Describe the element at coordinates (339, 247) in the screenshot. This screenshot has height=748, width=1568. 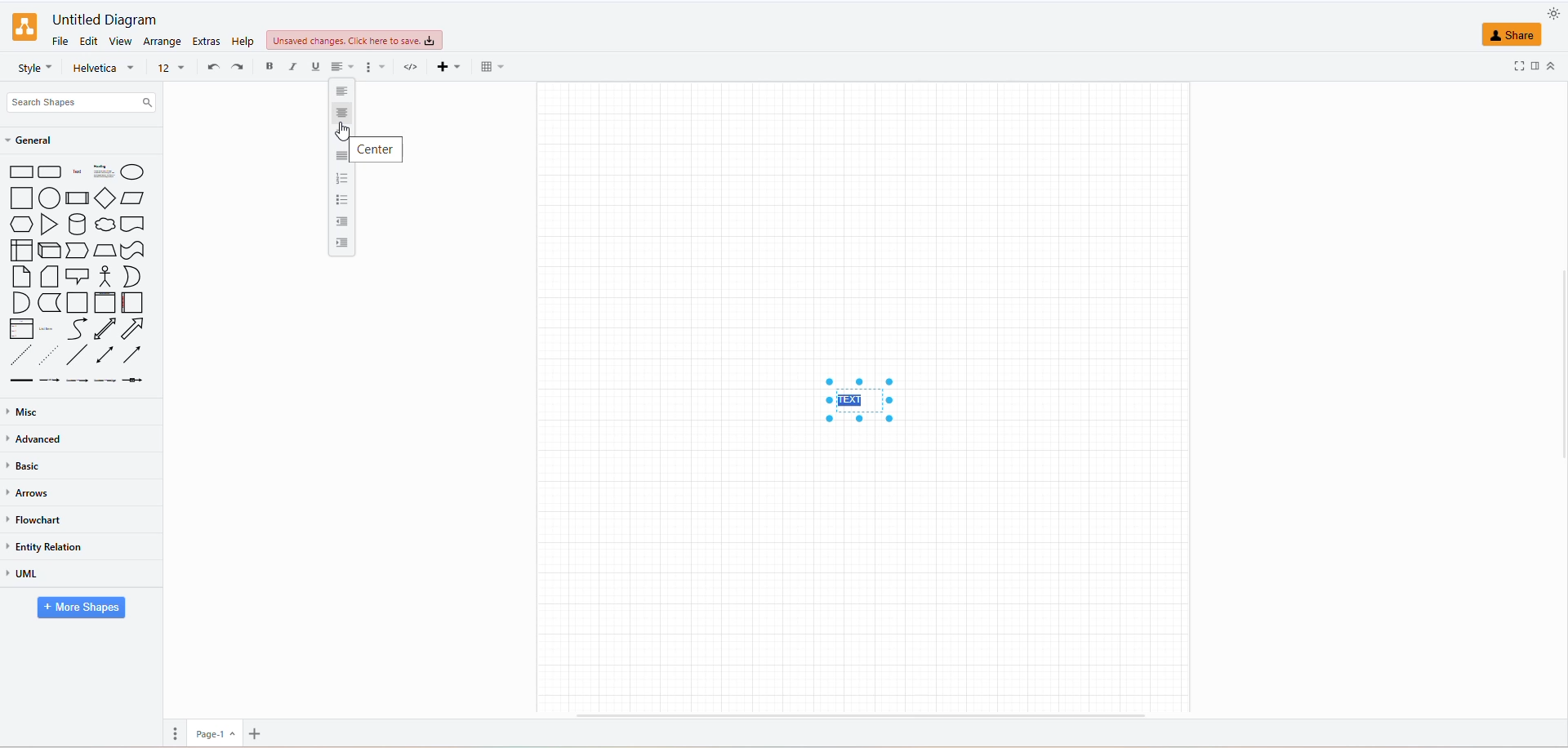
I see `increase indent` at that location.